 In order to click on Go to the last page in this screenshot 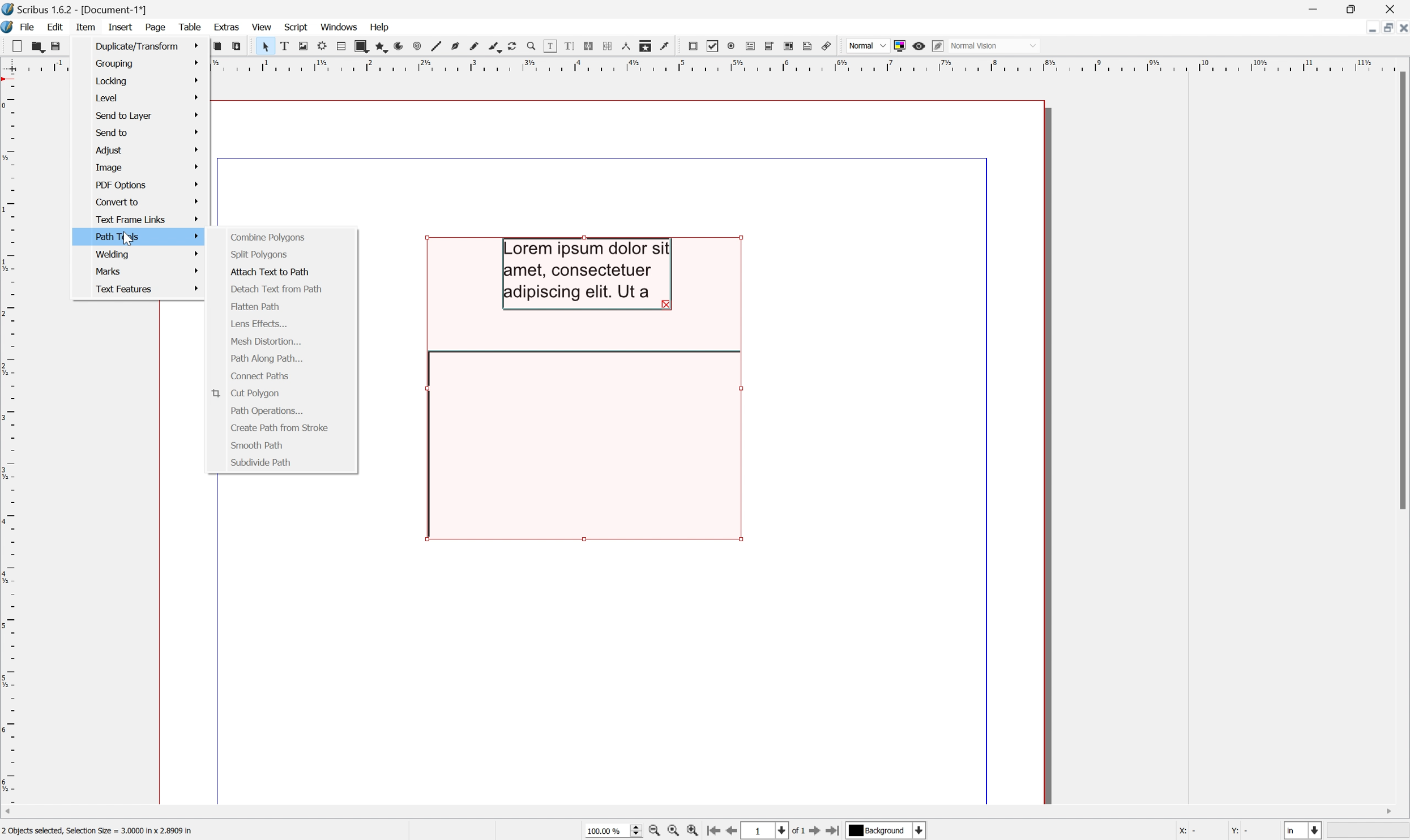, I will do `click(836, 831)`.